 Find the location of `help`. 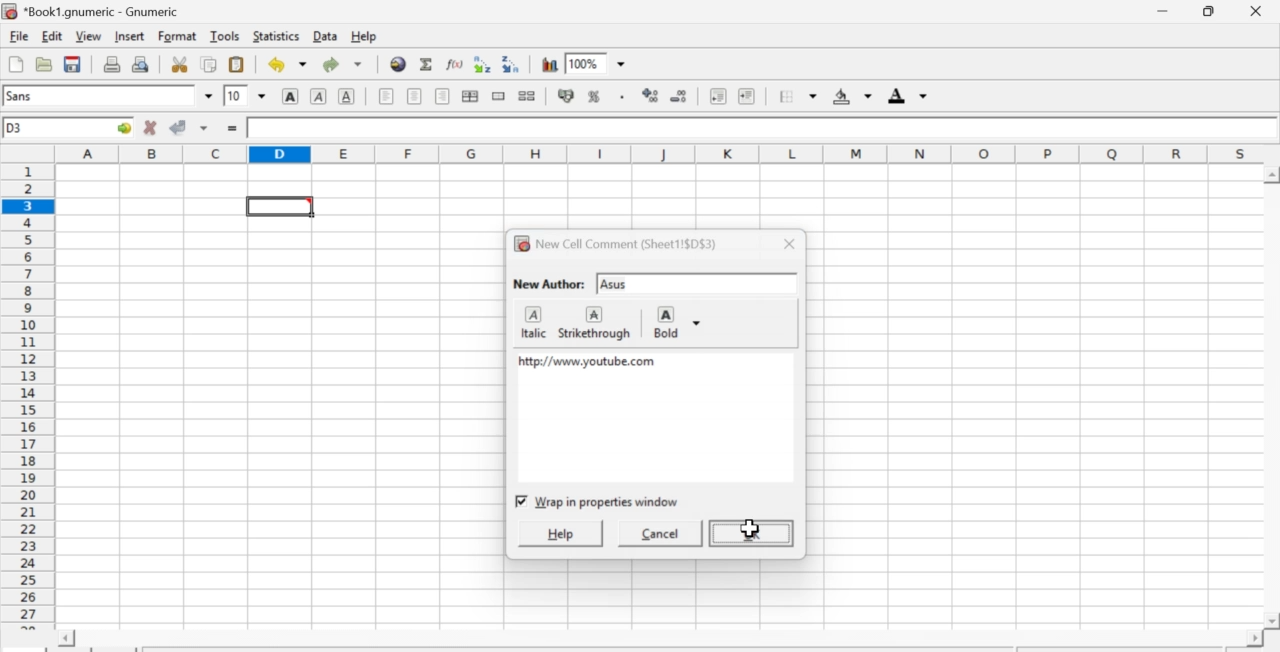

help is located at coordinates (561, 534).